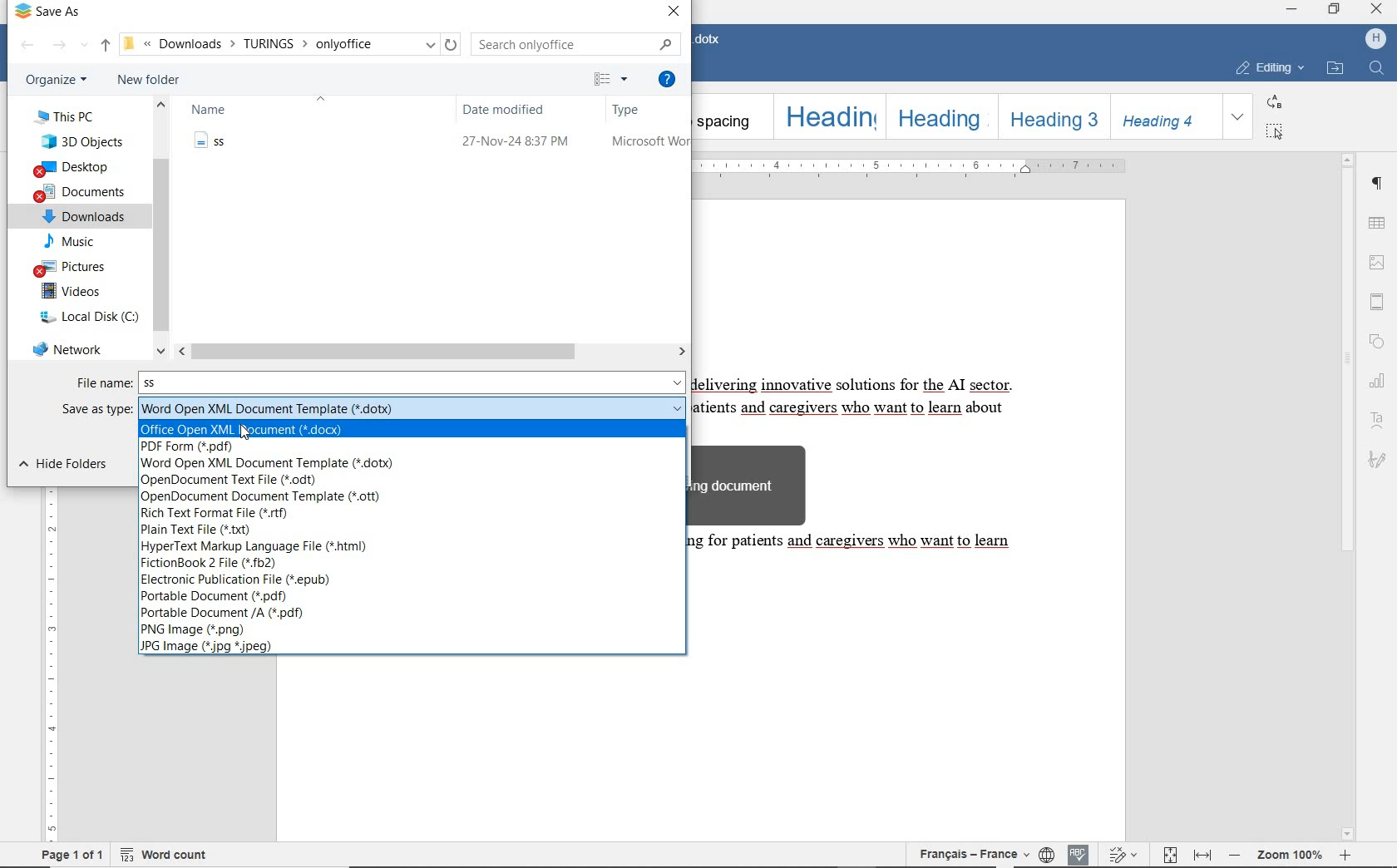  Describe the element at coordinates (1348, 836) in the screenshot. I see `scroll down` at that location.